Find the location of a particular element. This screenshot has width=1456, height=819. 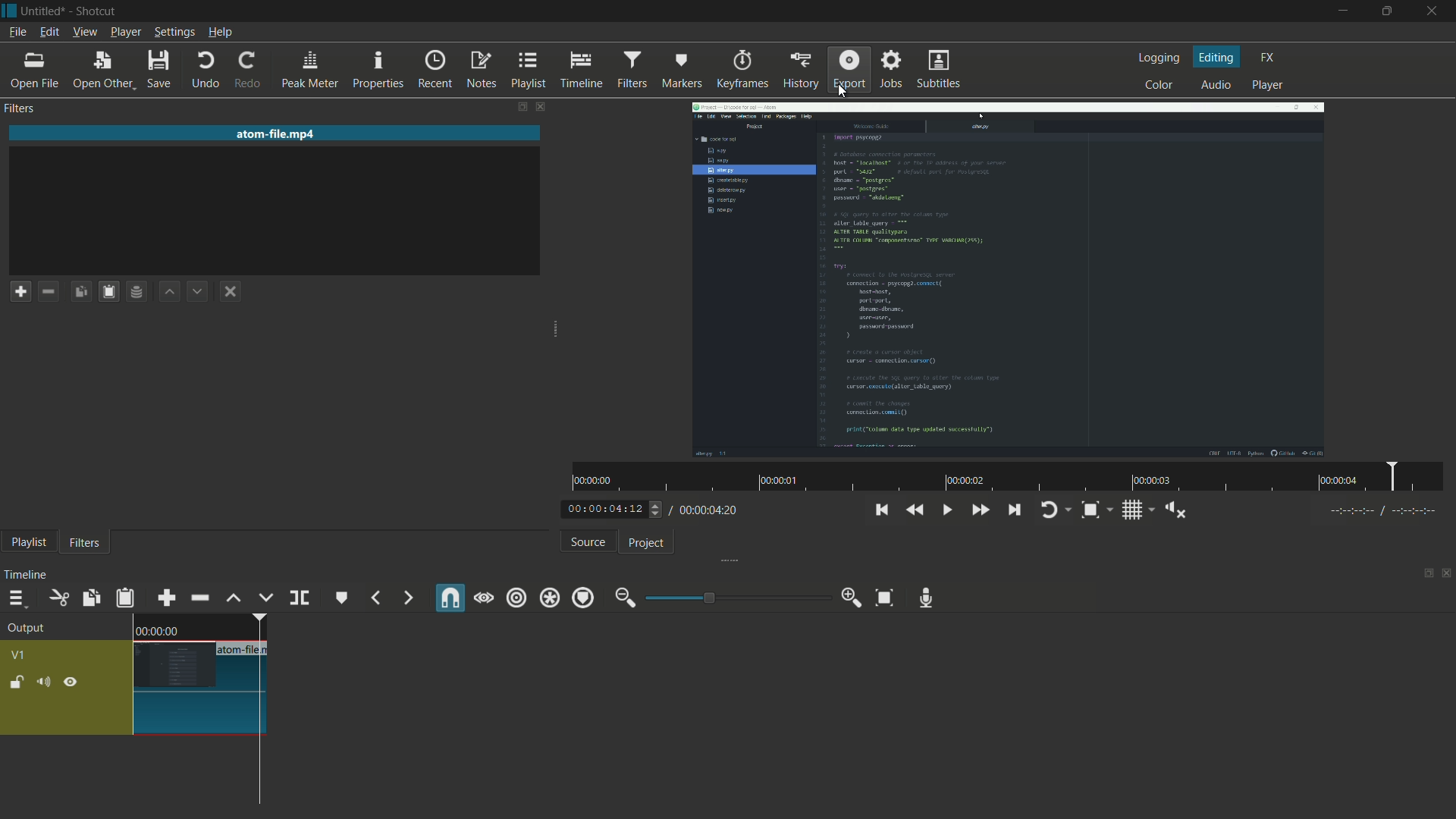

help menu is located at coordinates (221, 33).